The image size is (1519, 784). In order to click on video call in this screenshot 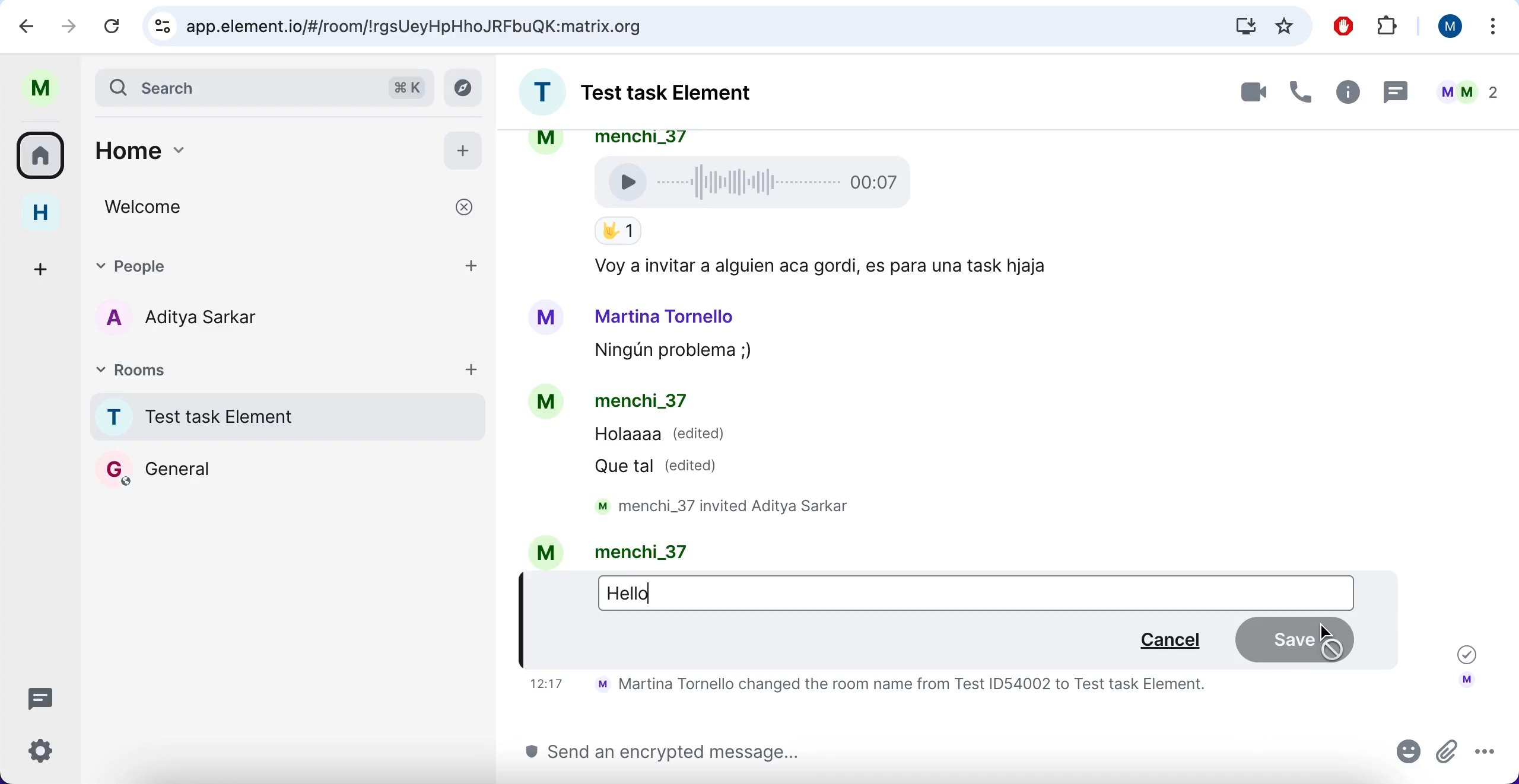, I will do `click(1238, 93)`.